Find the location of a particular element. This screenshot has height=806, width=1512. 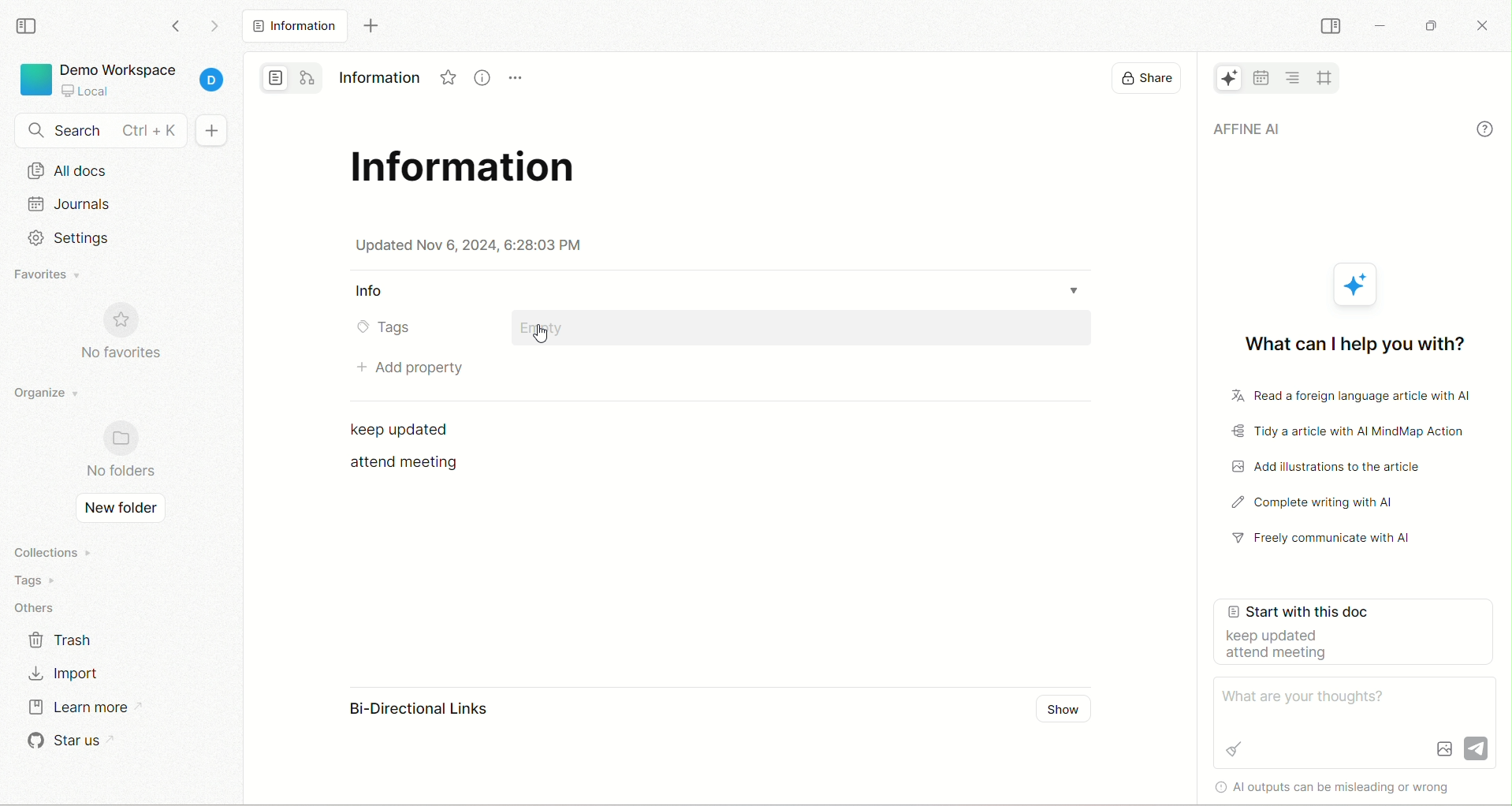

go back is located at coordinates (177, 31).